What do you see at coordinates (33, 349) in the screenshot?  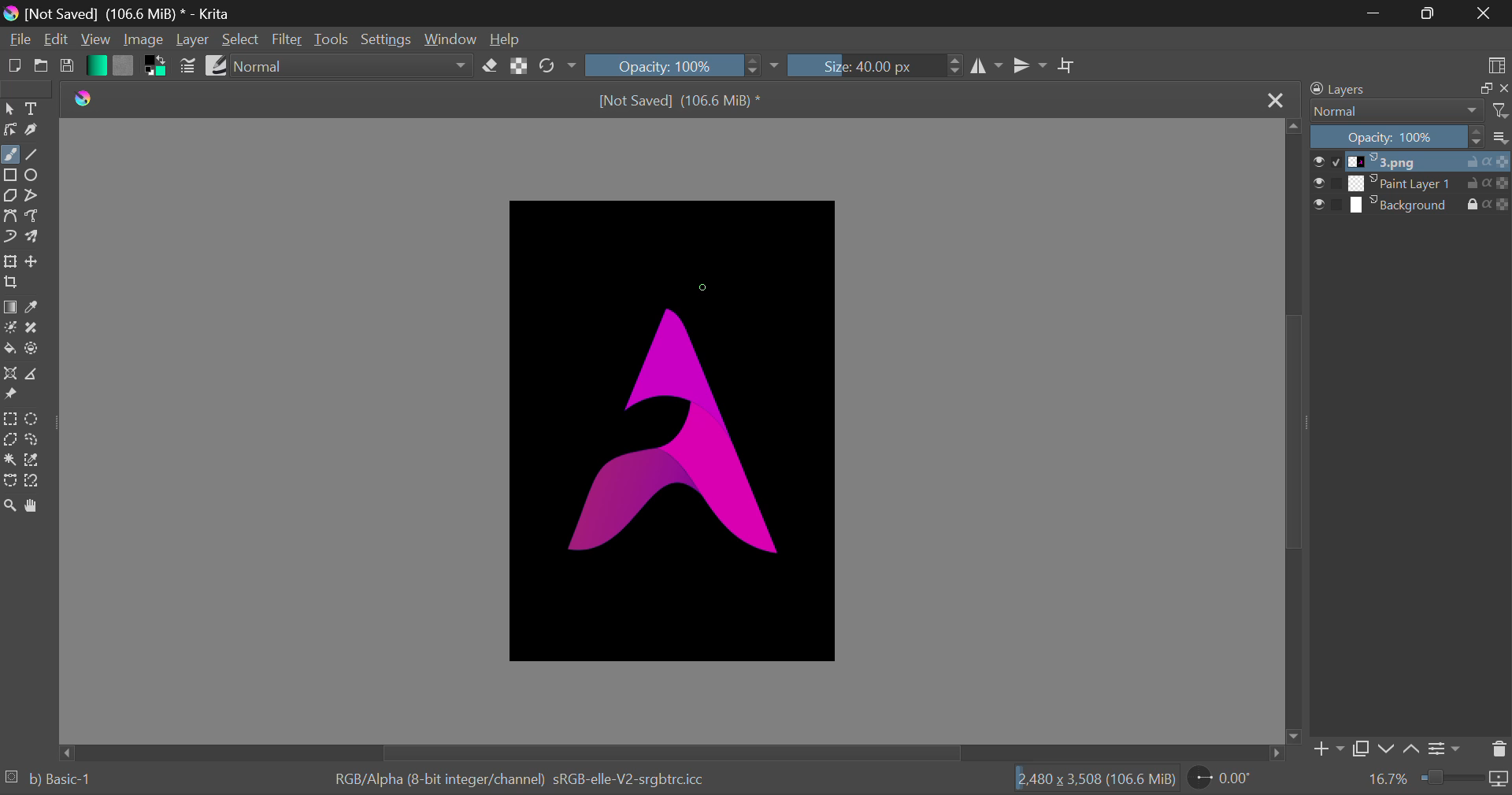 I see `Enclose and Fill` at bounding box center [33, 349].